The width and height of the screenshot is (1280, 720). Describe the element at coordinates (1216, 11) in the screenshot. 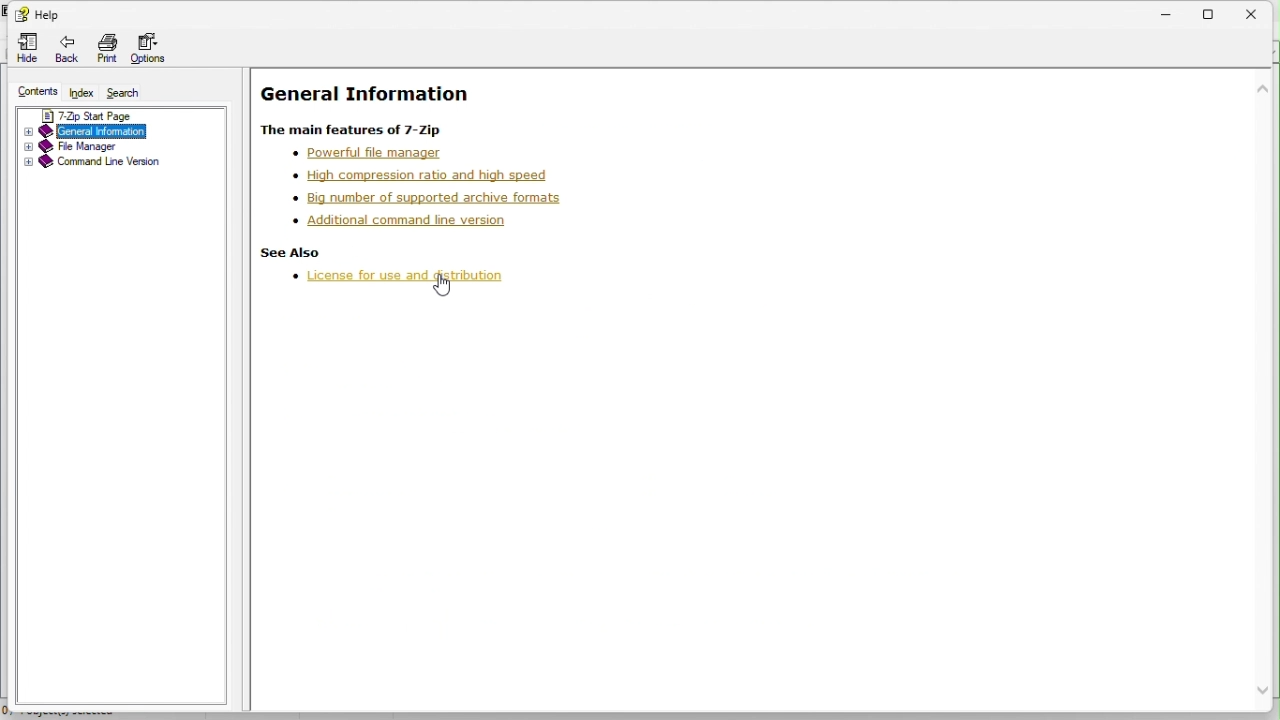

I see `restore` at that location.